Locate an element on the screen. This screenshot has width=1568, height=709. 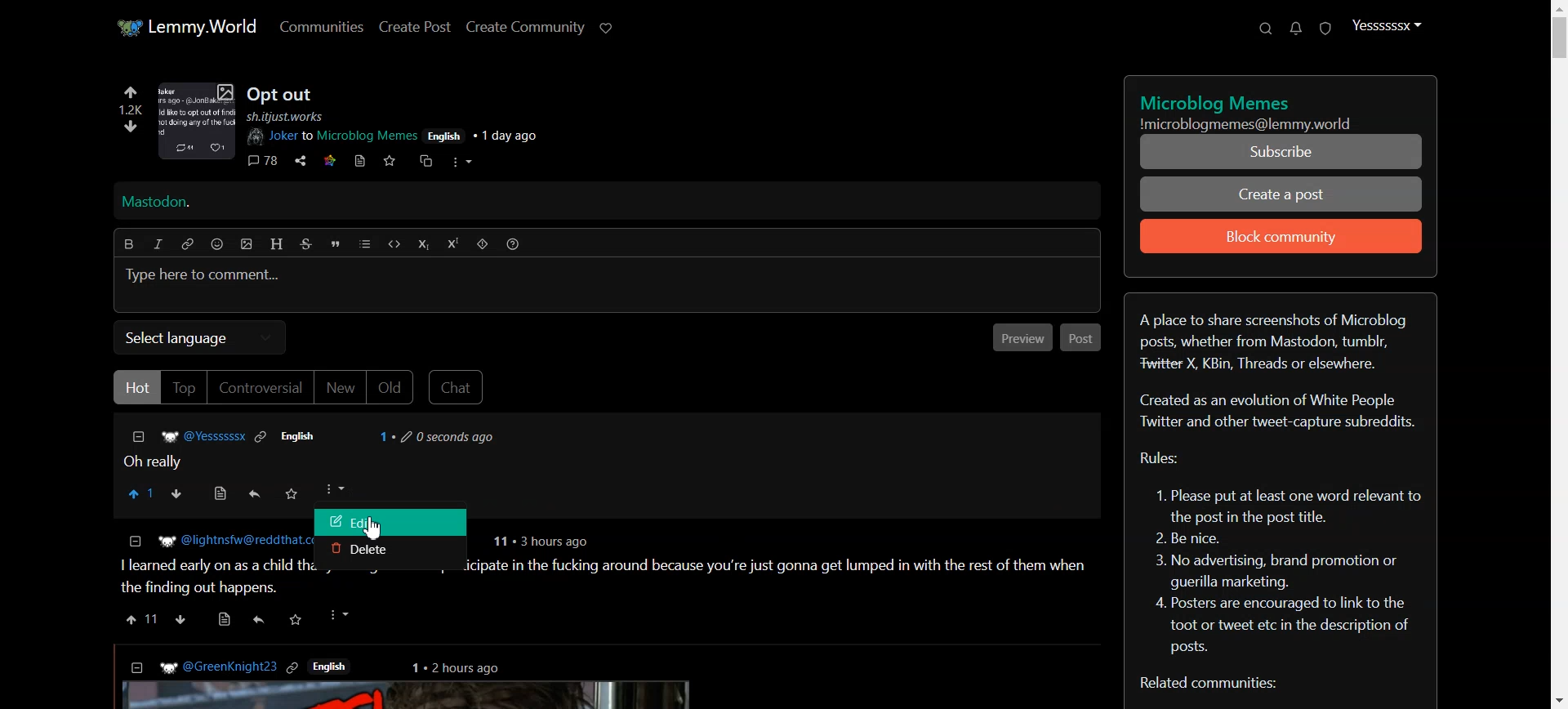
Text is located at coordinates (1263, 124).